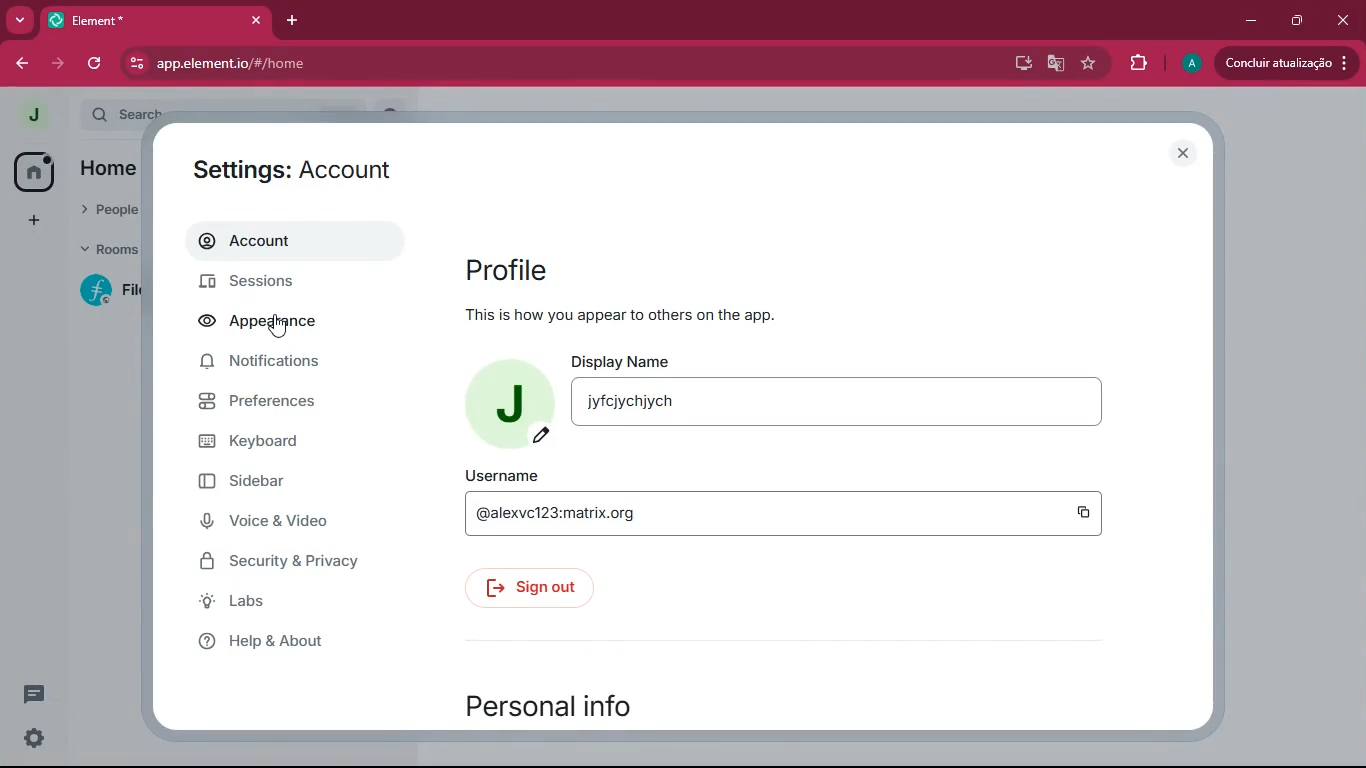 Image resolution: width=1366 pixels, height=768 pixels. What do you see at coordinates (35, 738) in the screenshot?
I see `settings` at bounding box center [35, 738].